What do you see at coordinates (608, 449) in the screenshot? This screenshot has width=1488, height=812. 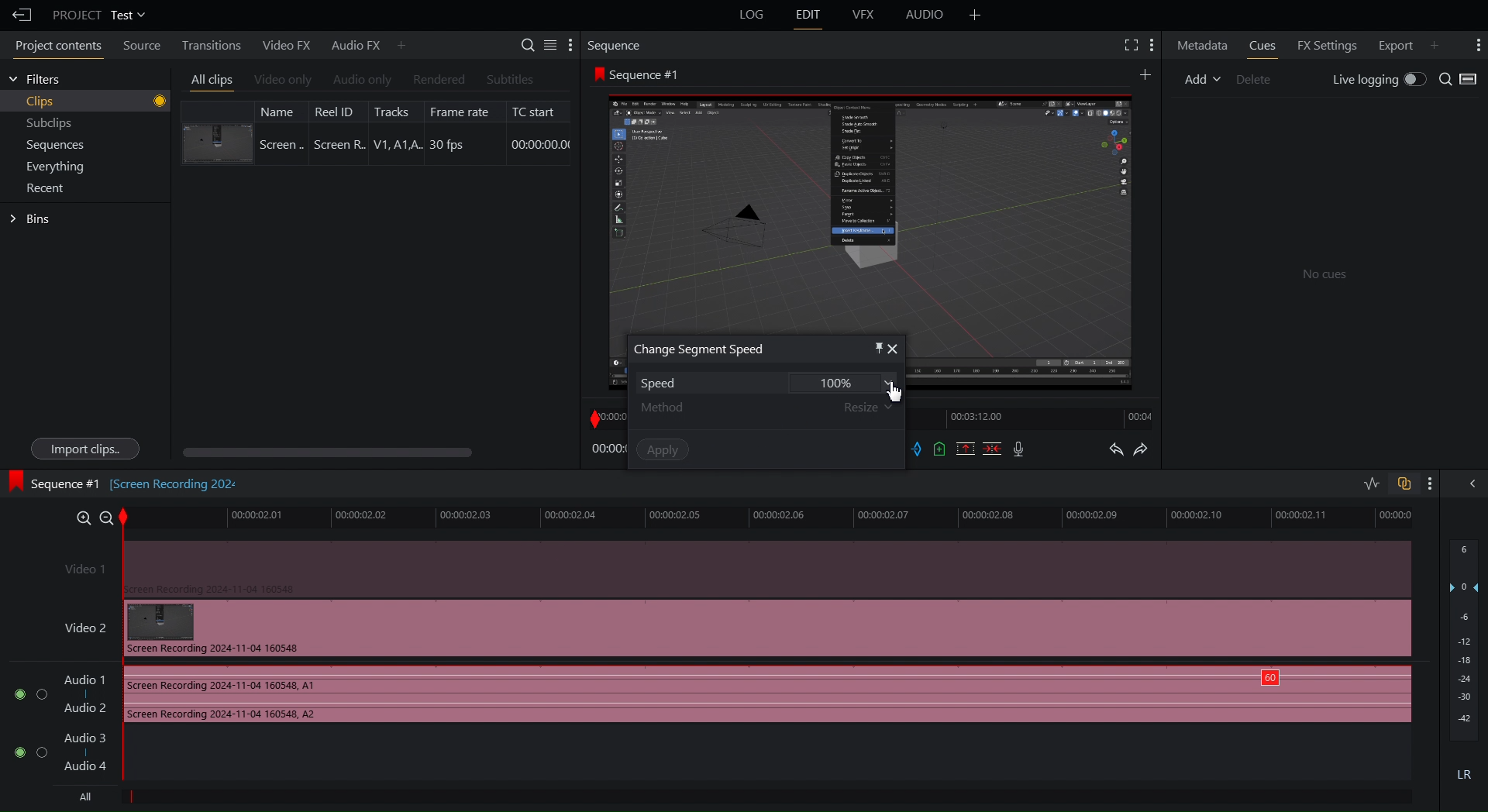 I see `Timestamp` at bounding box center [608, 449].